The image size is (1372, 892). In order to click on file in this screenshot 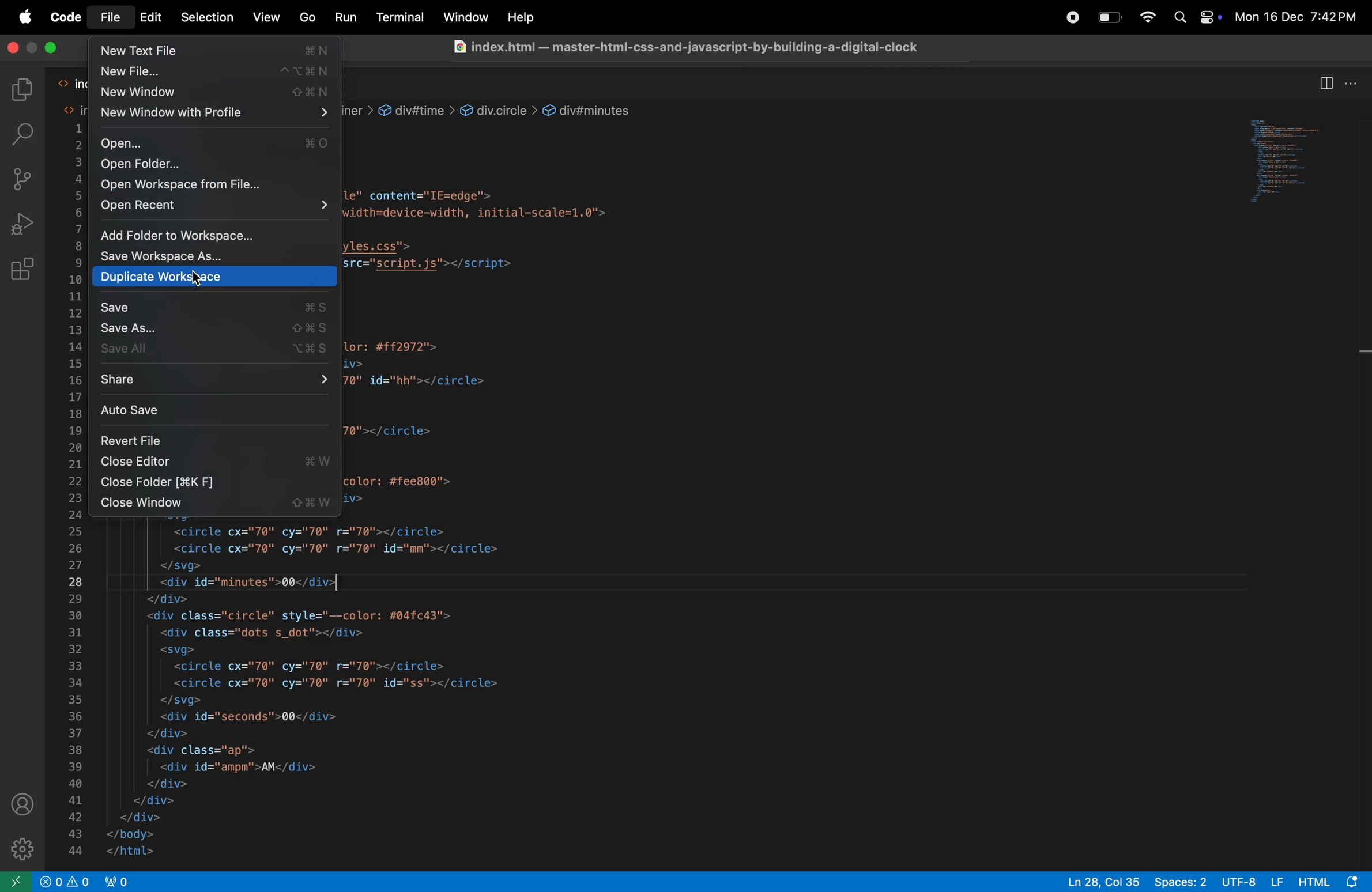, I will do `click(109, 17)`.